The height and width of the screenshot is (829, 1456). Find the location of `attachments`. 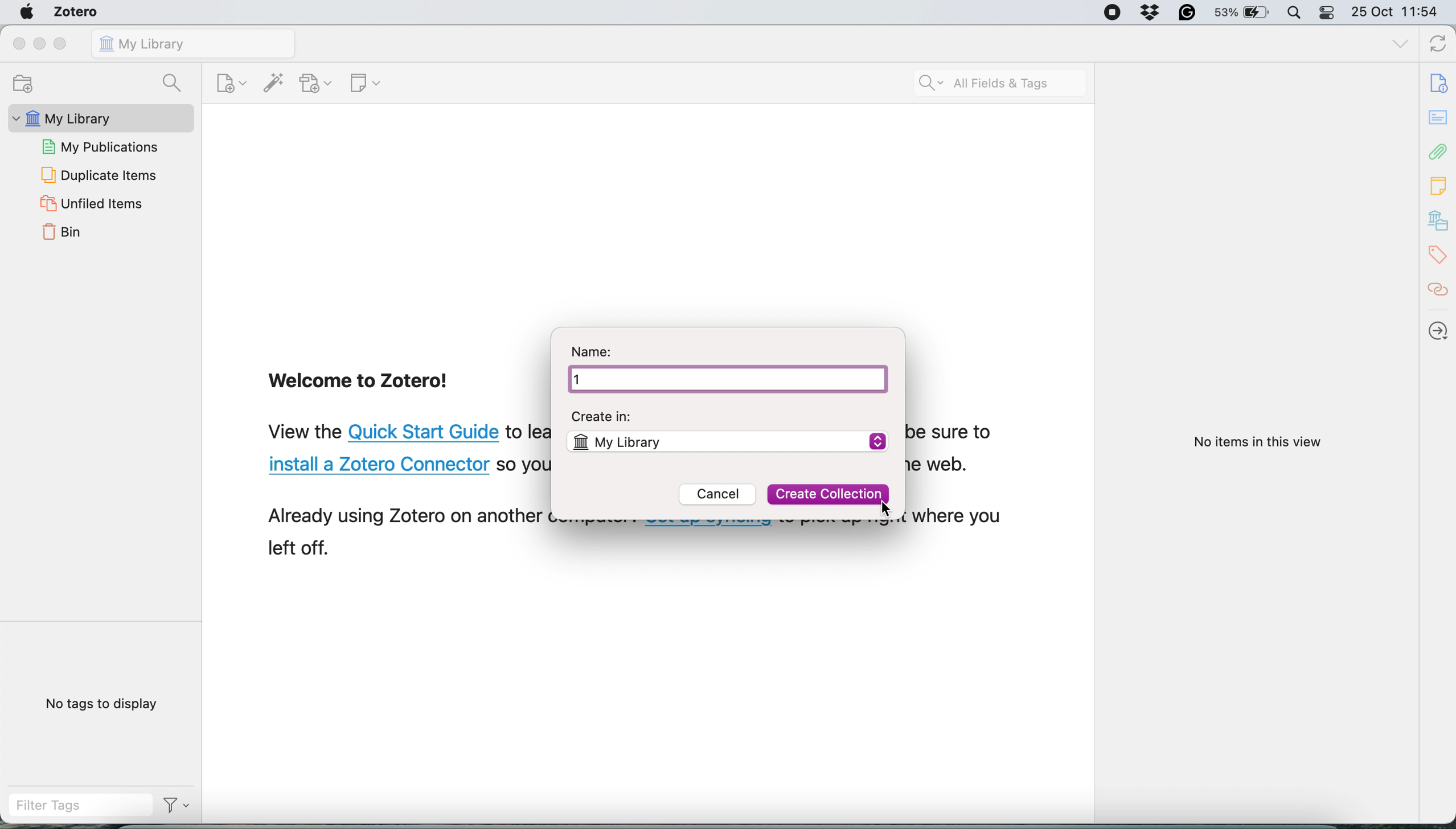

attachments is located at coordinates (1438, 153).